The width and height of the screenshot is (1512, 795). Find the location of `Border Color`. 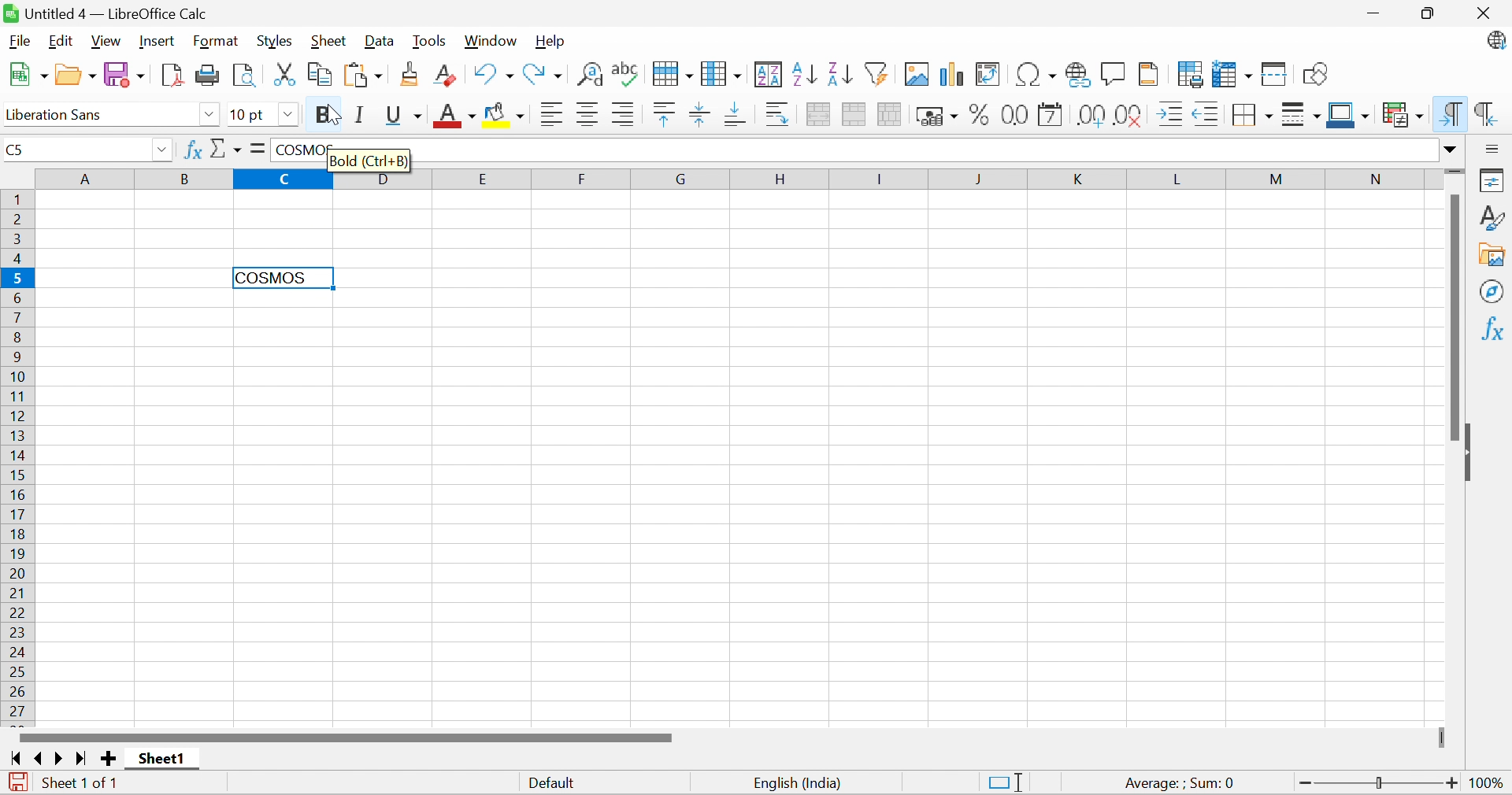

Border Color is located at coordinates (1349, 113).